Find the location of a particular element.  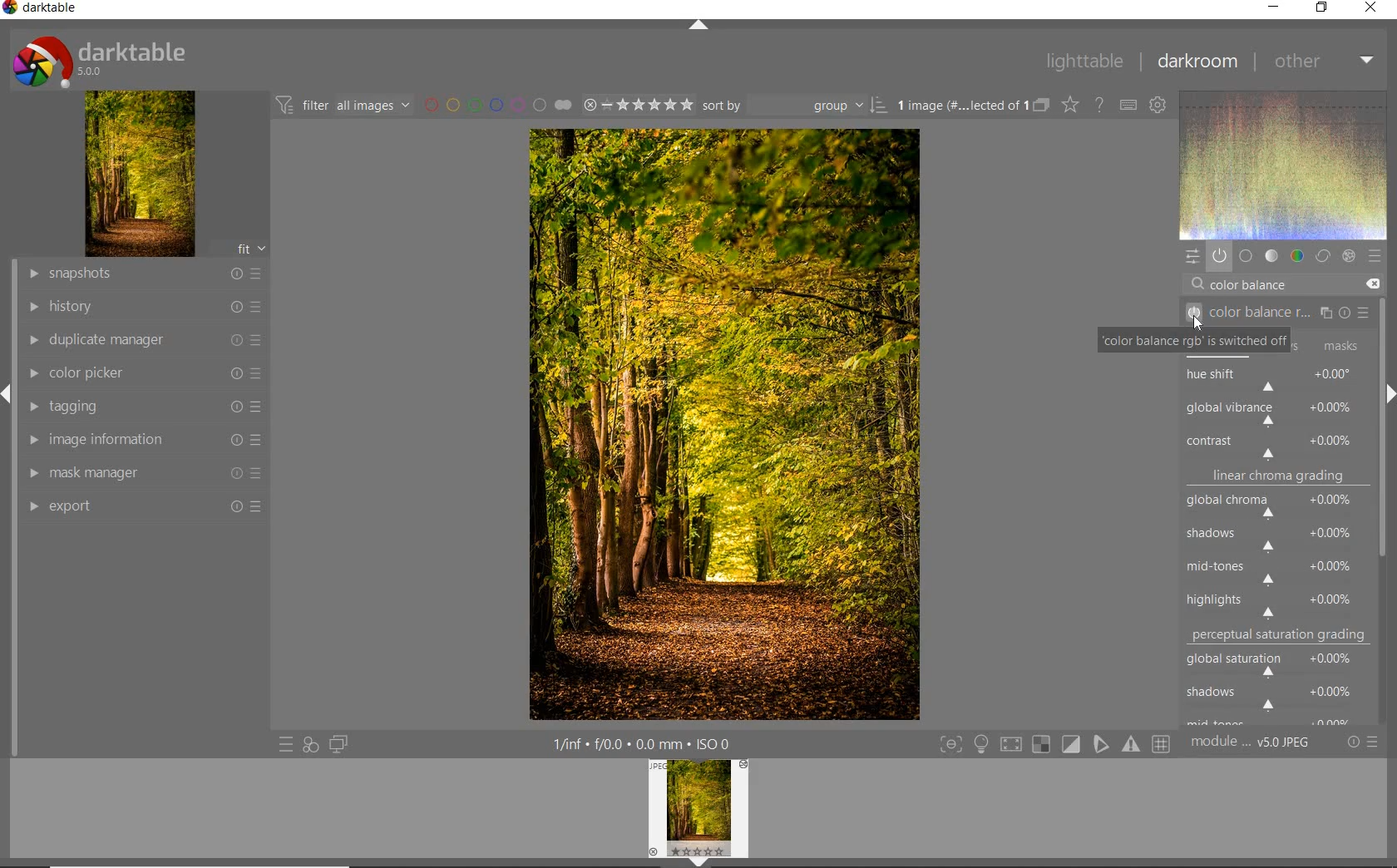

show only active module is located at coordinates (1219, 255).